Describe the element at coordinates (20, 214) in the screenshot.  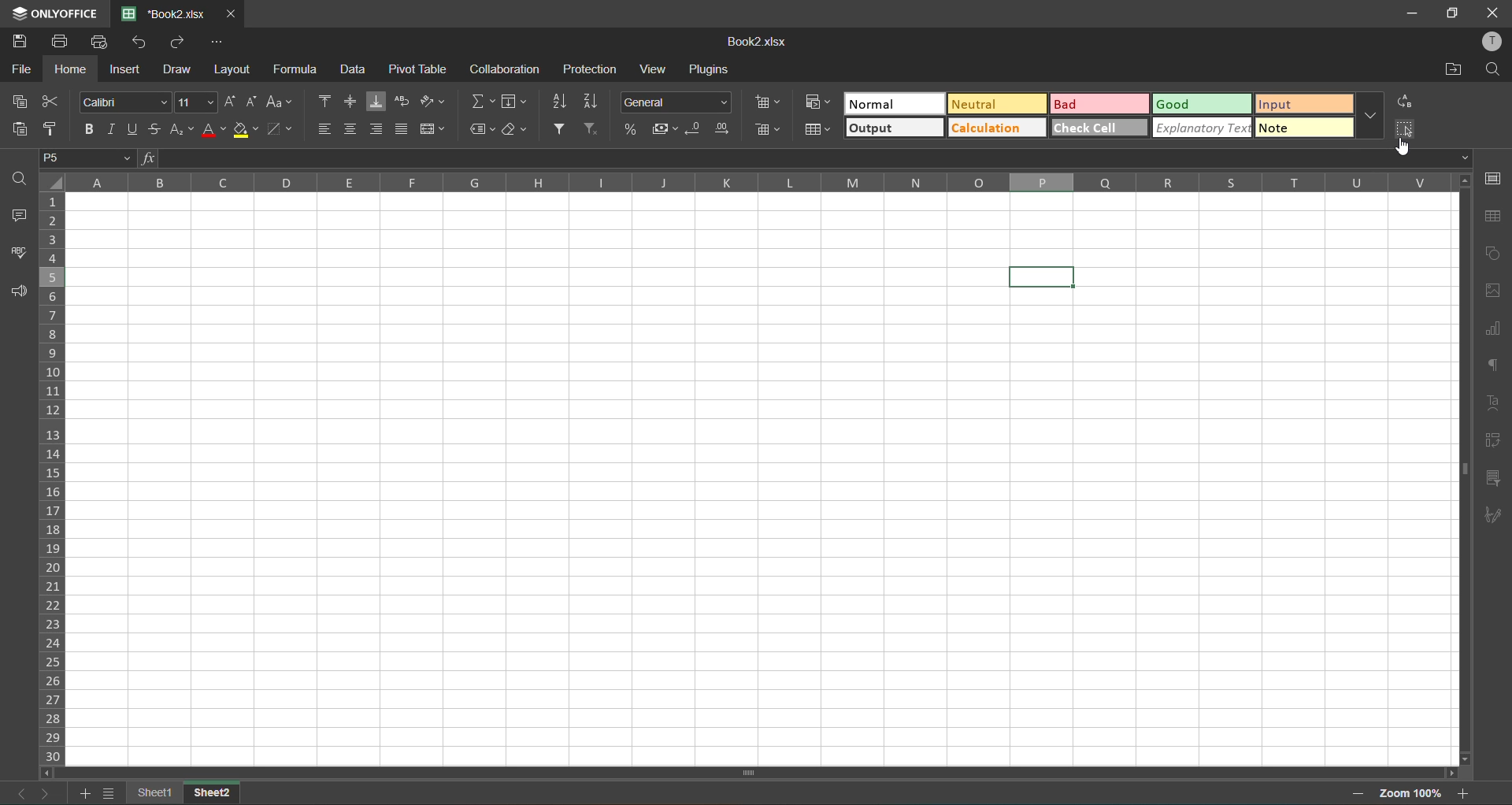
I see `comments` at that location.